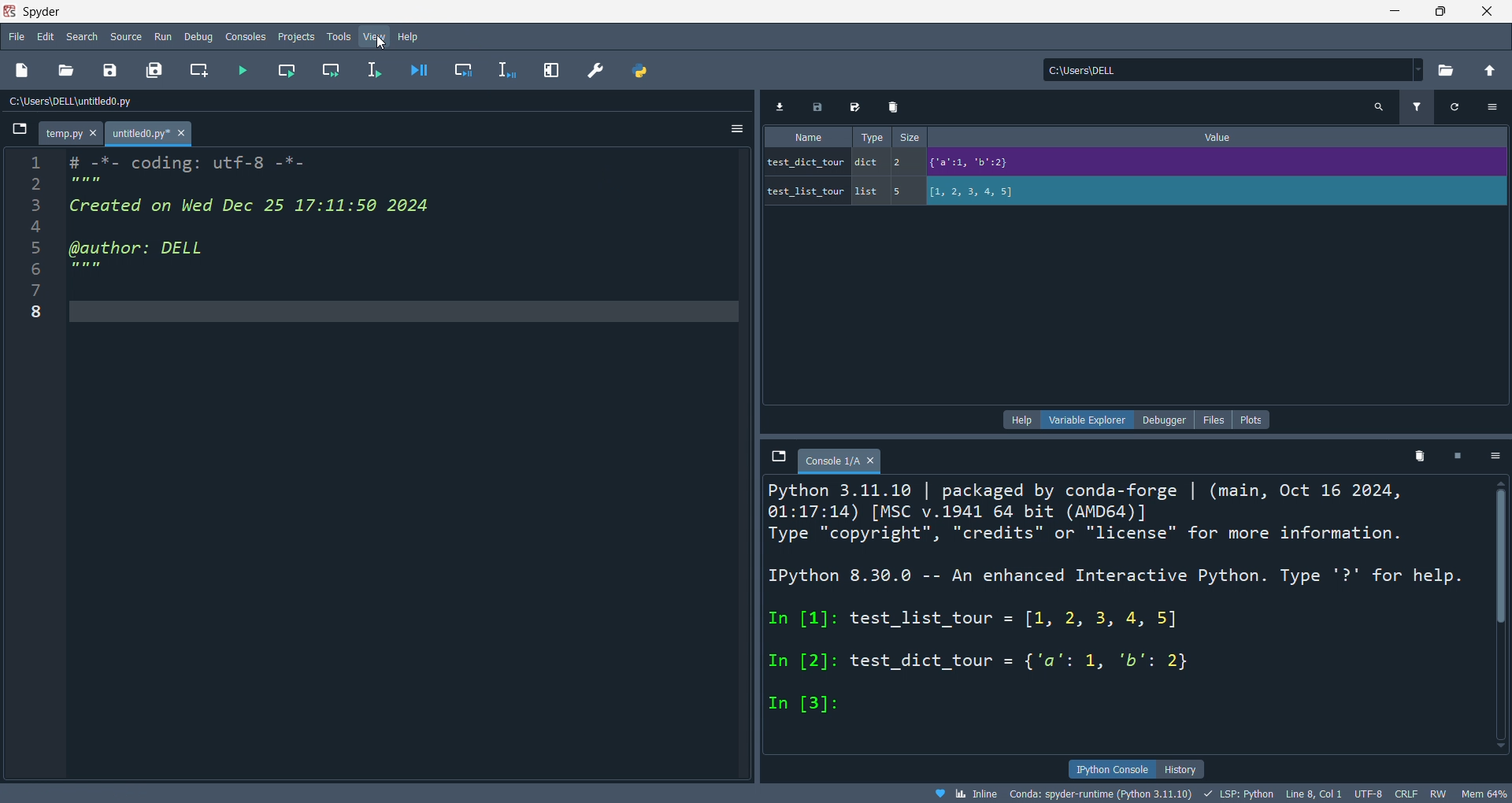 The image size is (1512, 803). Describe the element at coordinates (509, 70) in the screenshot. I see `debug line` at that location.